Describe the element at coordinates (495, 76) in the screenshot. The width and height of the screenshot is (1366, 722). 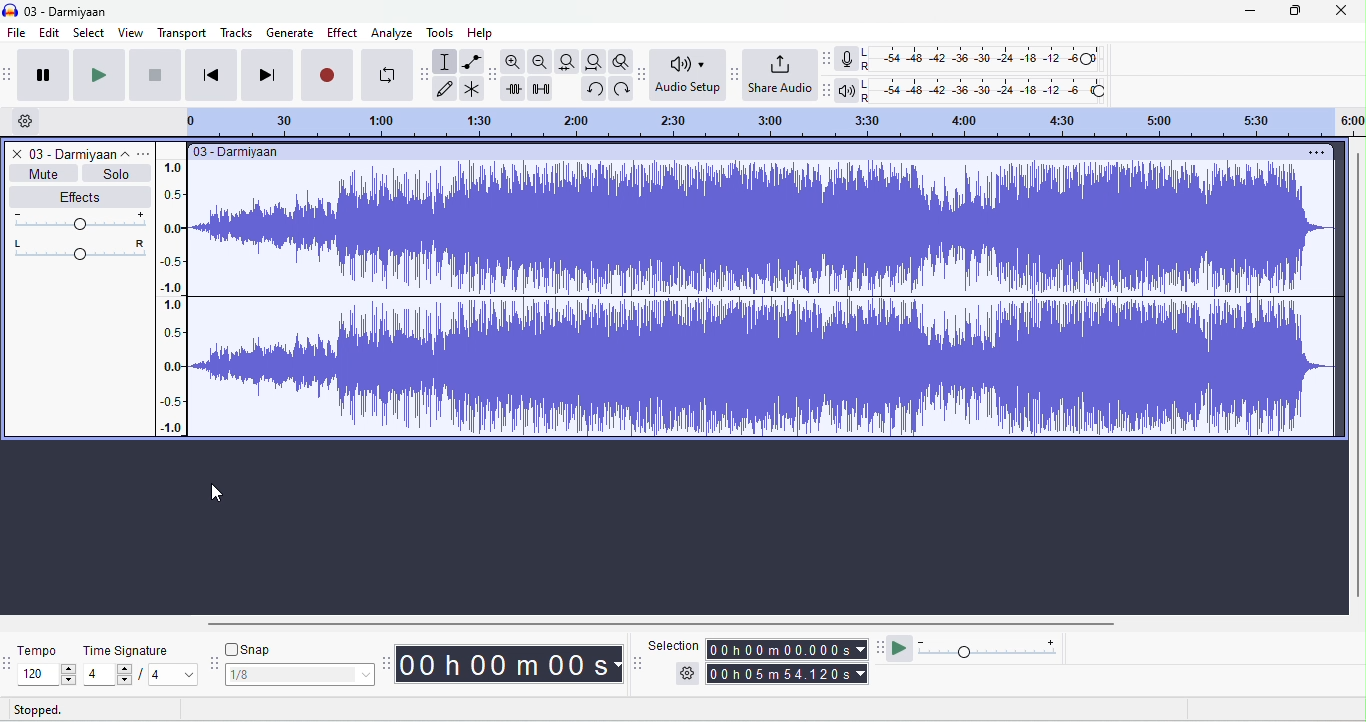
I see `audacity edit tool bar` at that location.